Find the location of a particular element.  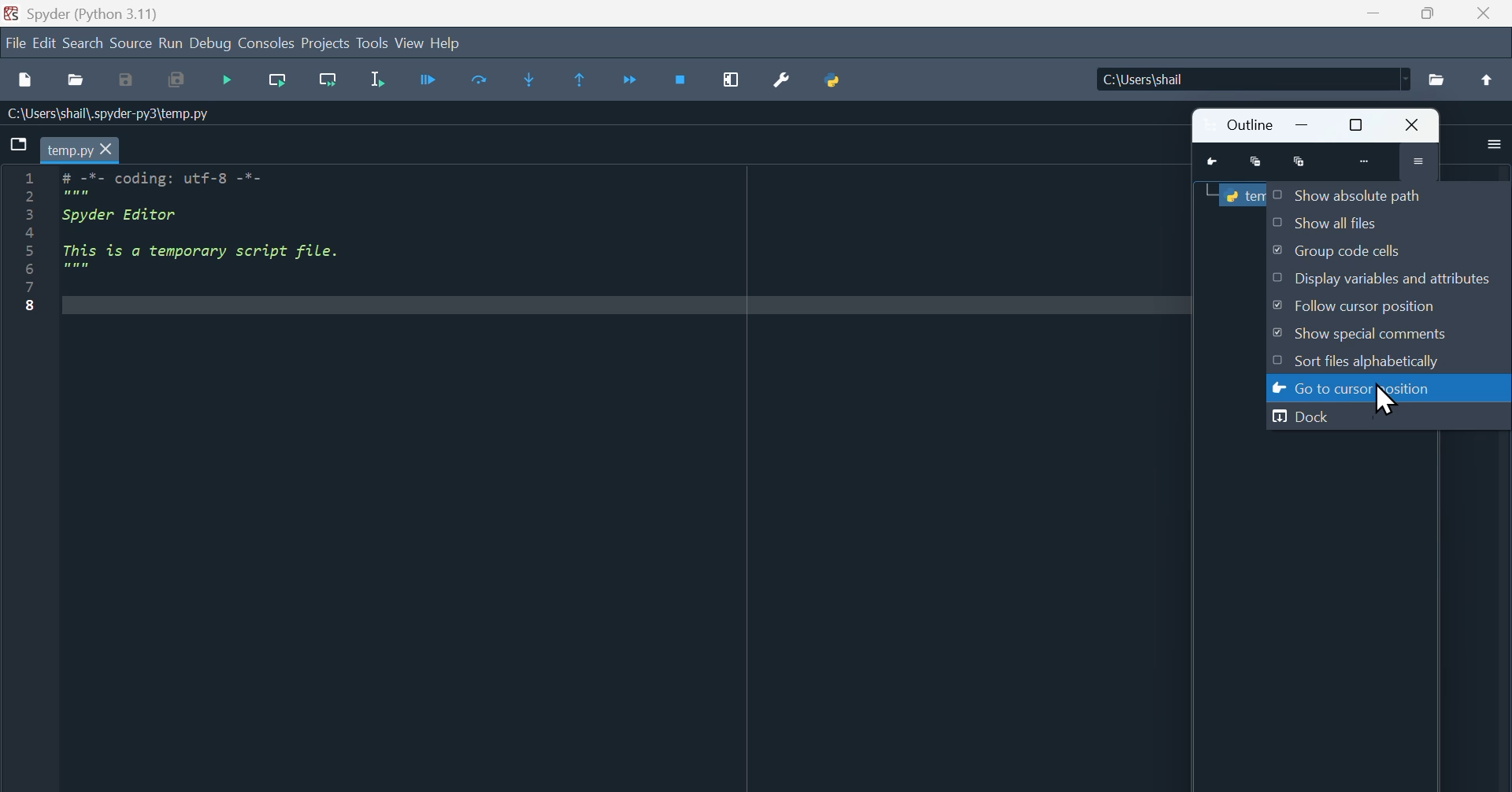

Display variable and attributes is located at coordinates (1384, 277).